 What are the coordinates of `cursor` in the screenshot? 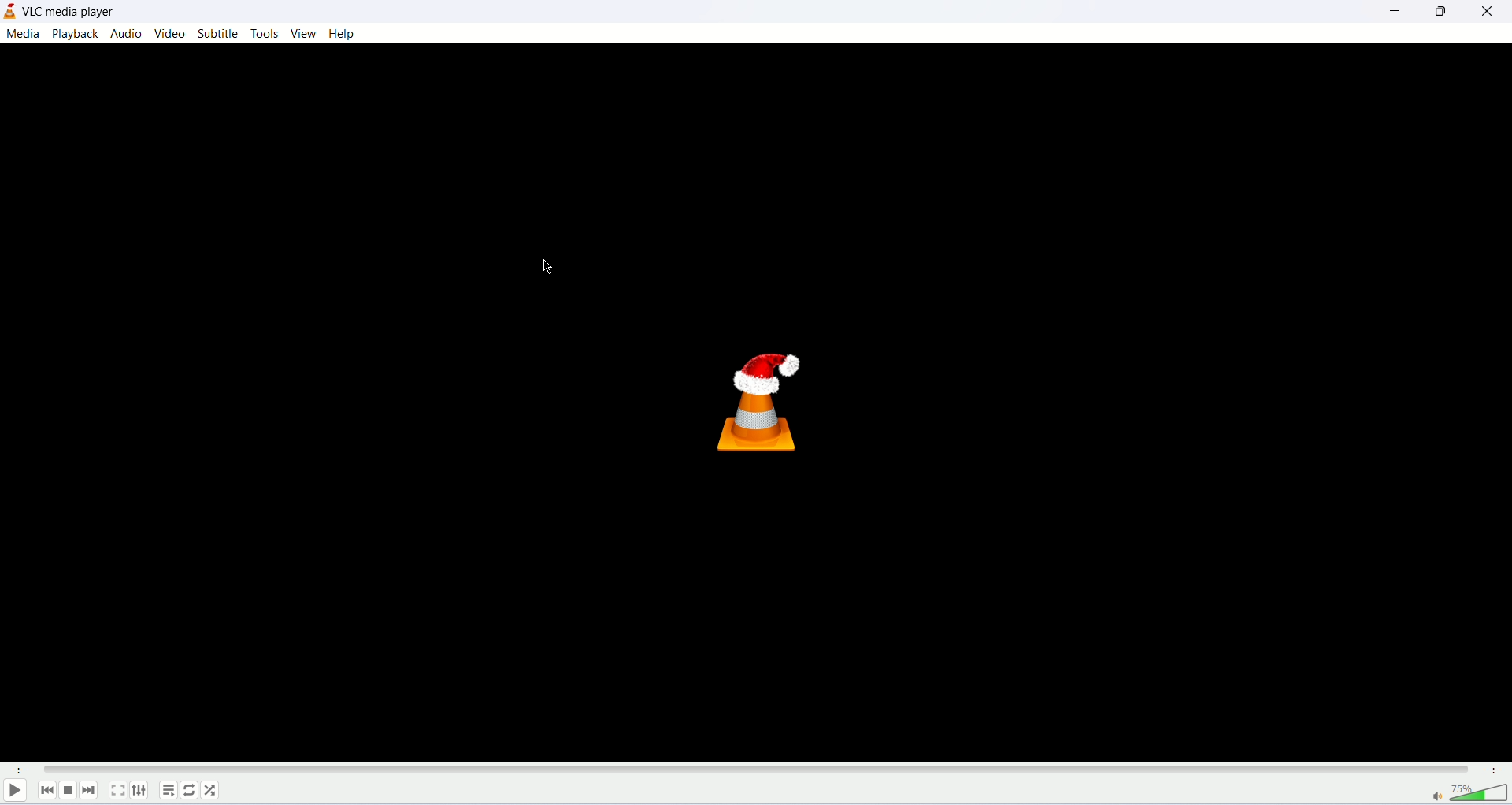 It's located at (542, 269).